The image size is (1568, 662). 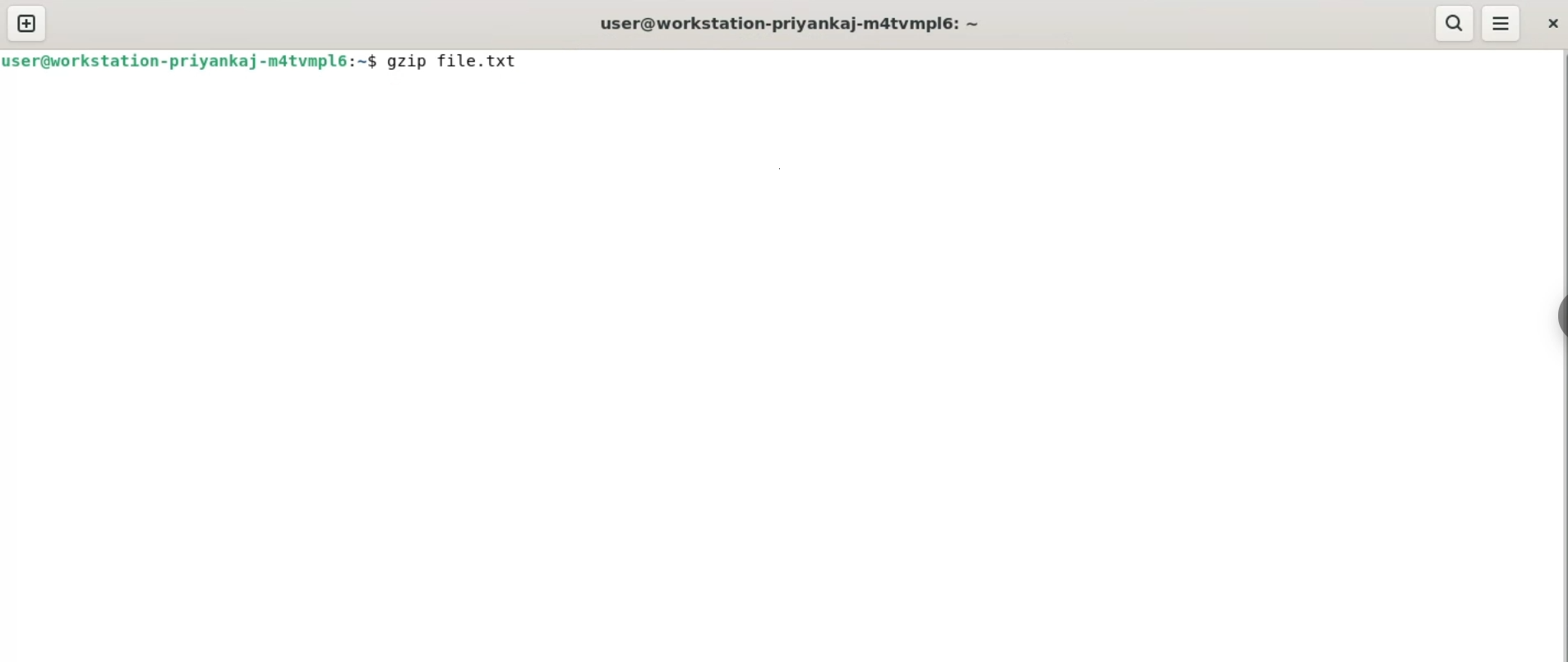 What do you see at coordinates (1455, 25) in the screenshot?
I see `search` at bounding box center [1455, 25].